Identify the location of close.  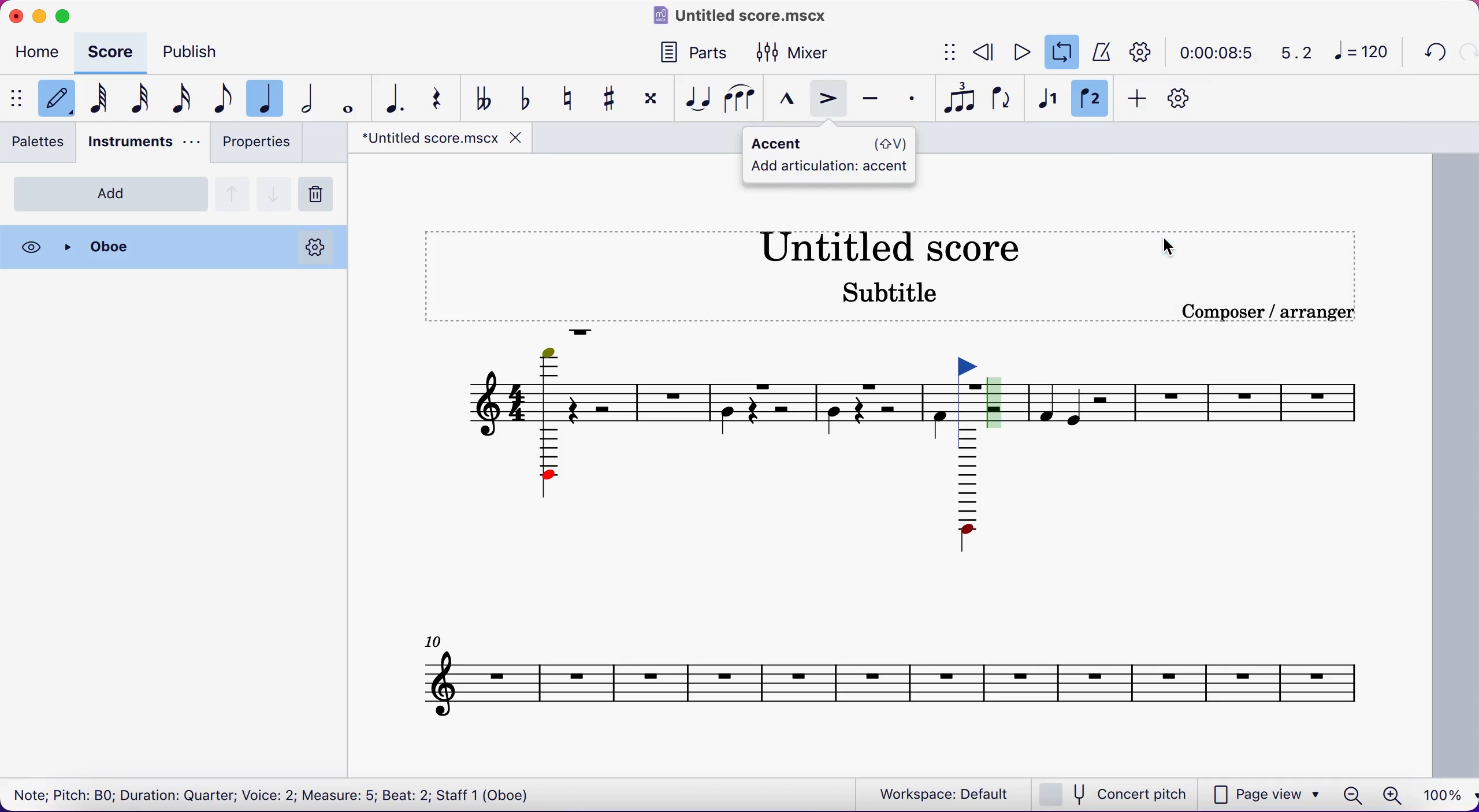
(14, 14).